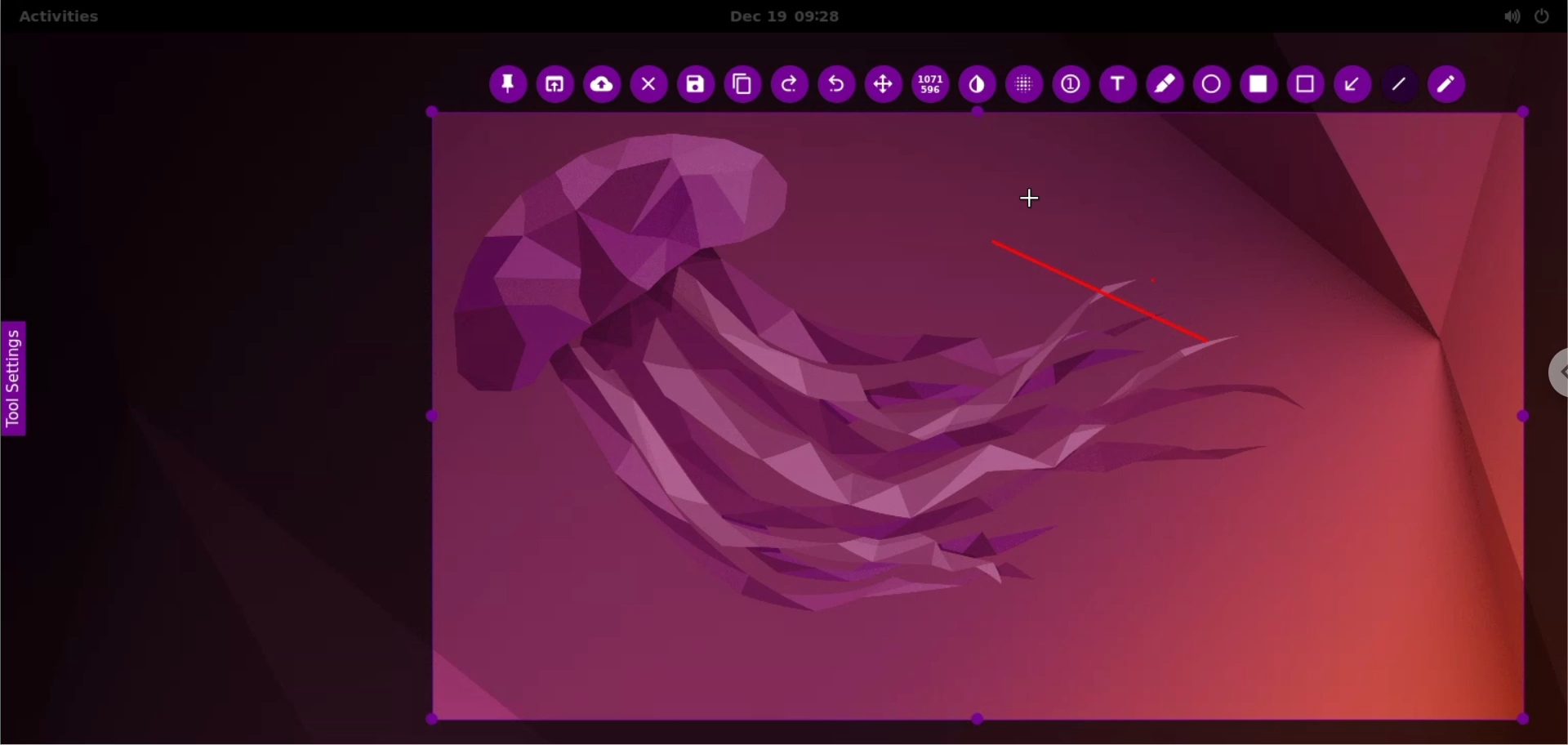 This screenshot has width=1568, height=745. Describe the element at coordinates (1164, 85) in the screenshot. I see `marker` at that location.